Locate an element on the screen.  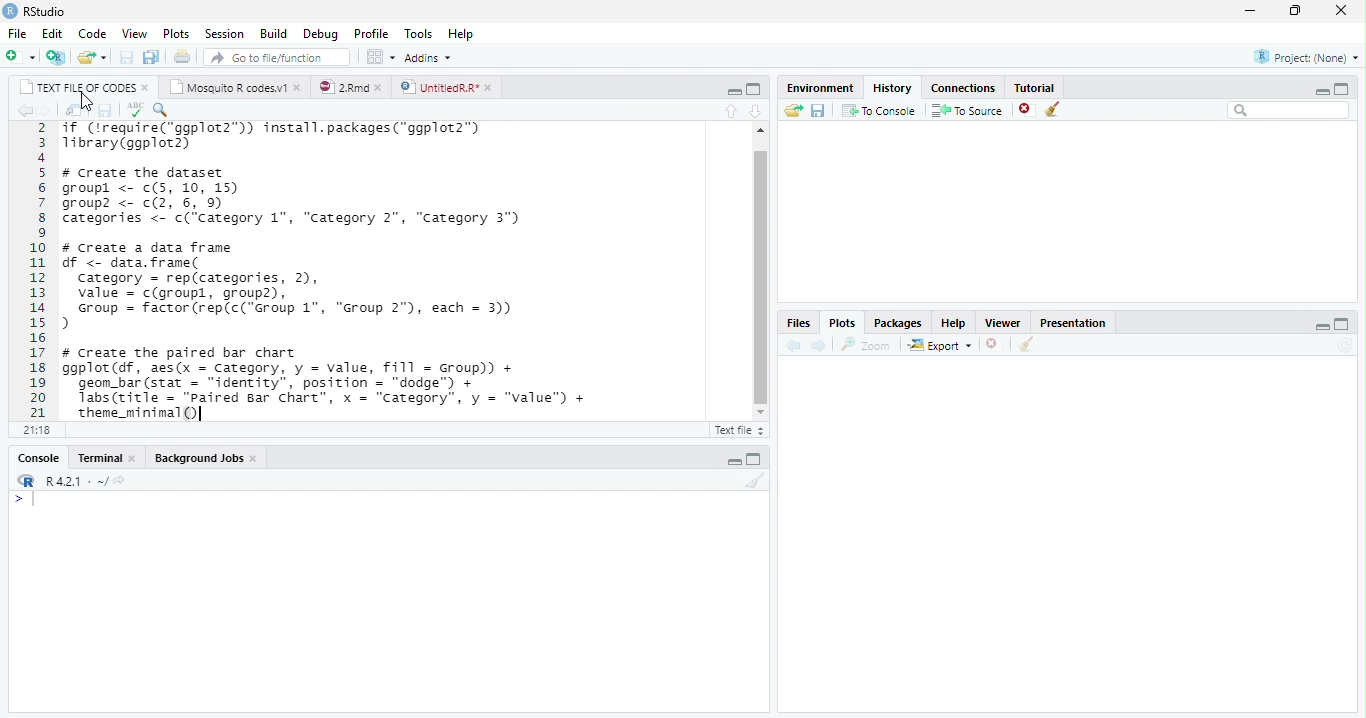
create a project is located at coordinates (54, 56).